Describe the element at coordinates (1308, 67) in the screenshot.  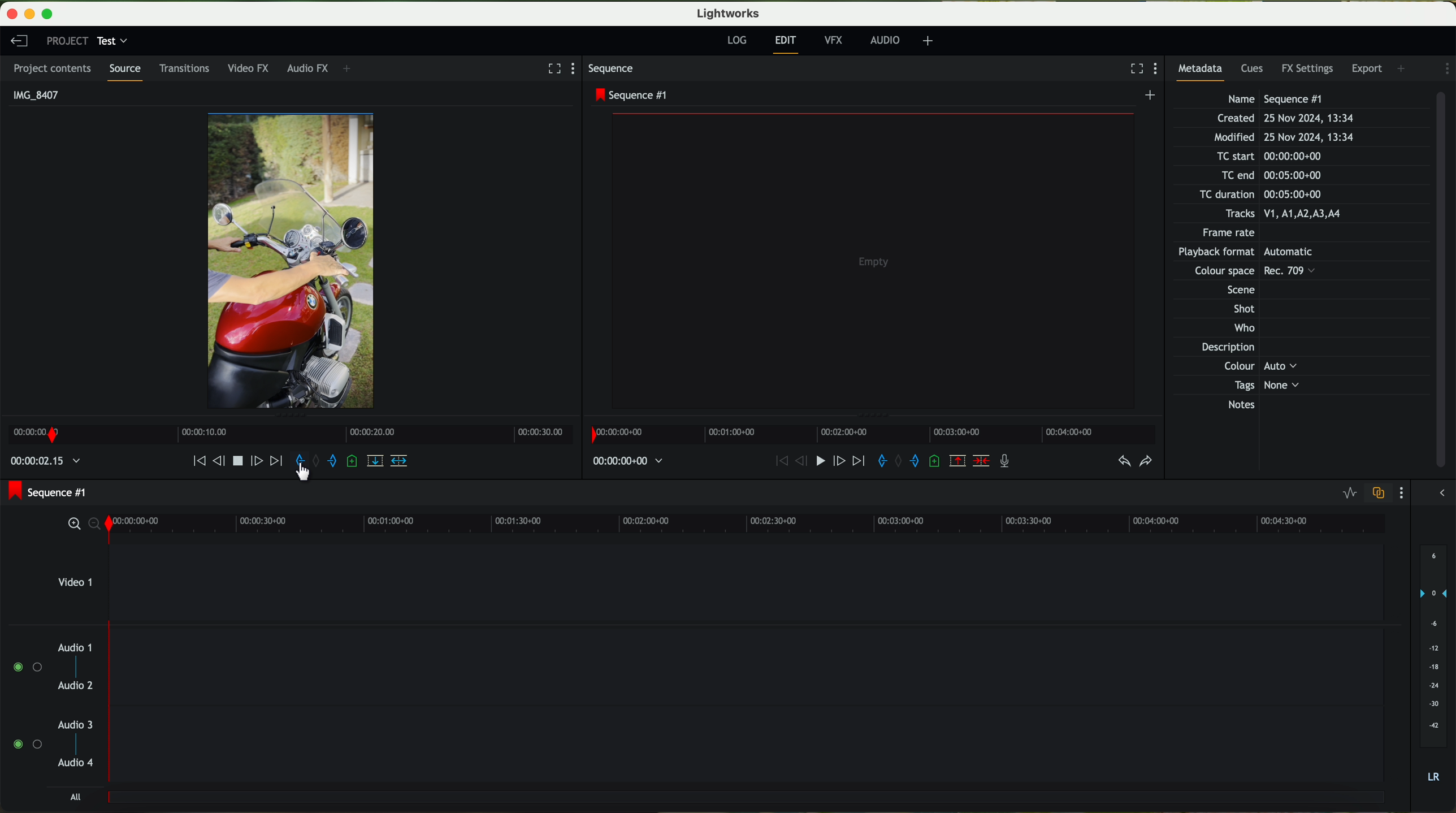
I see `FX settings` at that location.